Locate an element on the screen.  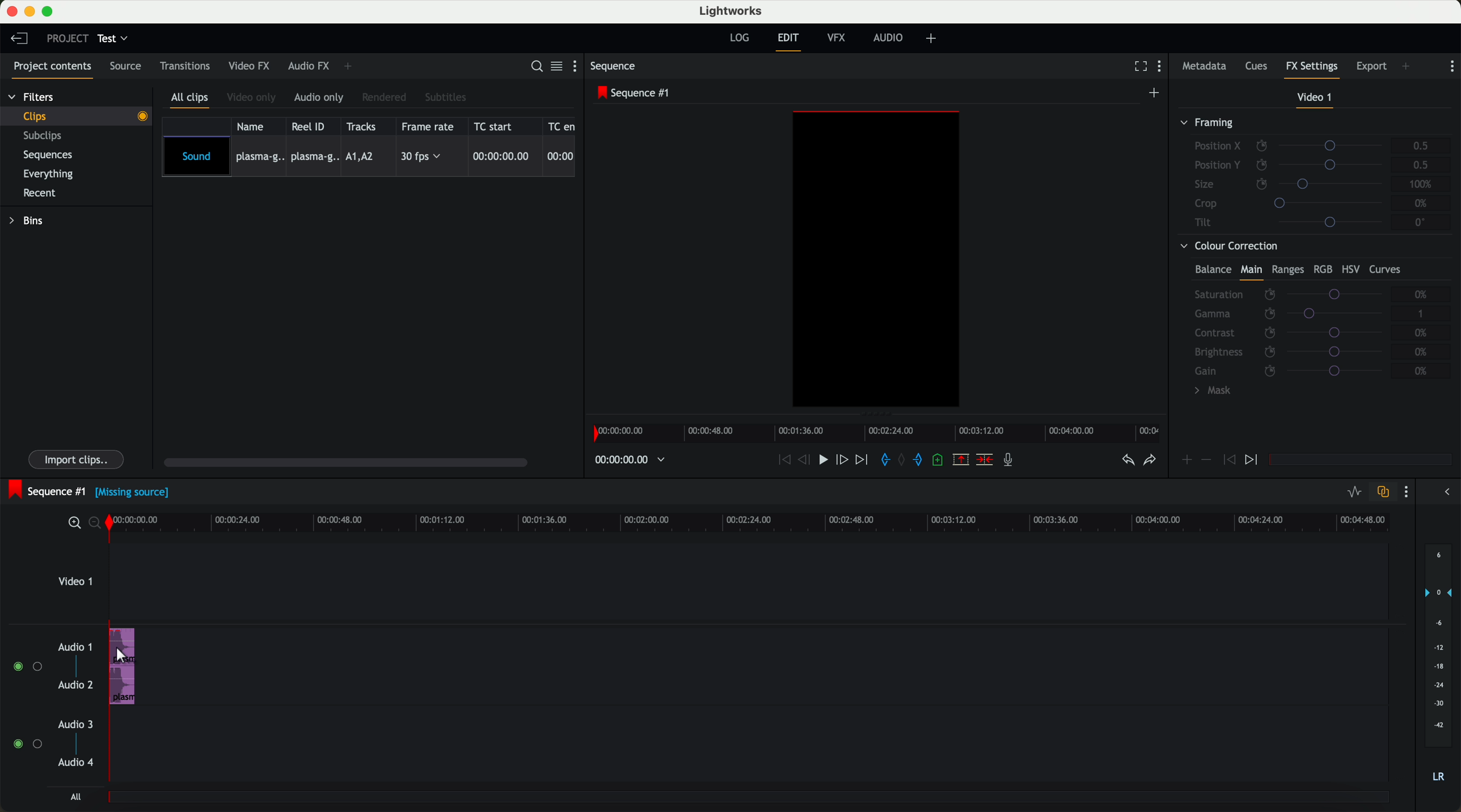
colour correction is located at coordinates (1310, 322).